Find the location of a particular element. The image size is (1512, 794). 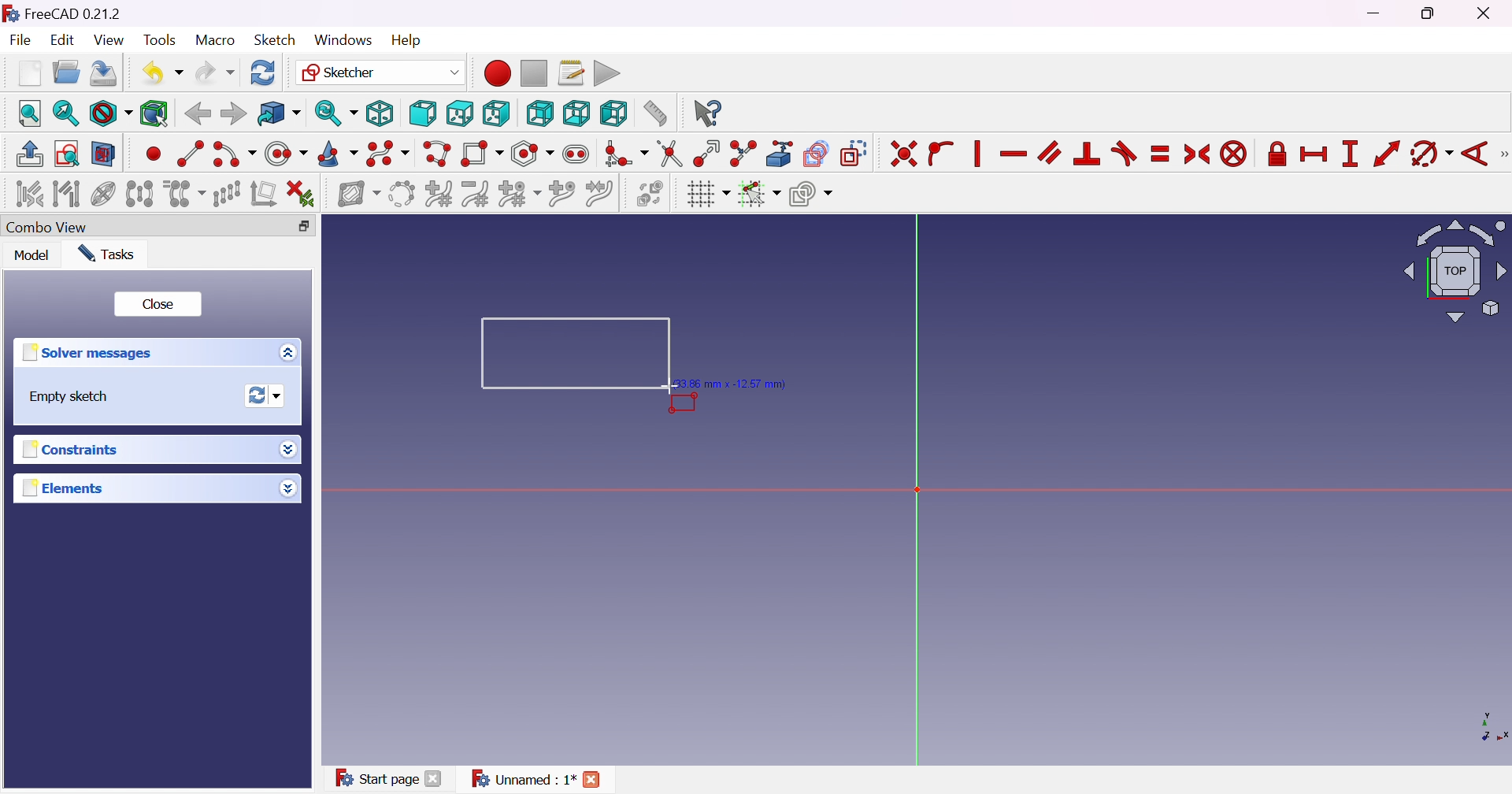

Tasks is located at coordinates (112, 254).